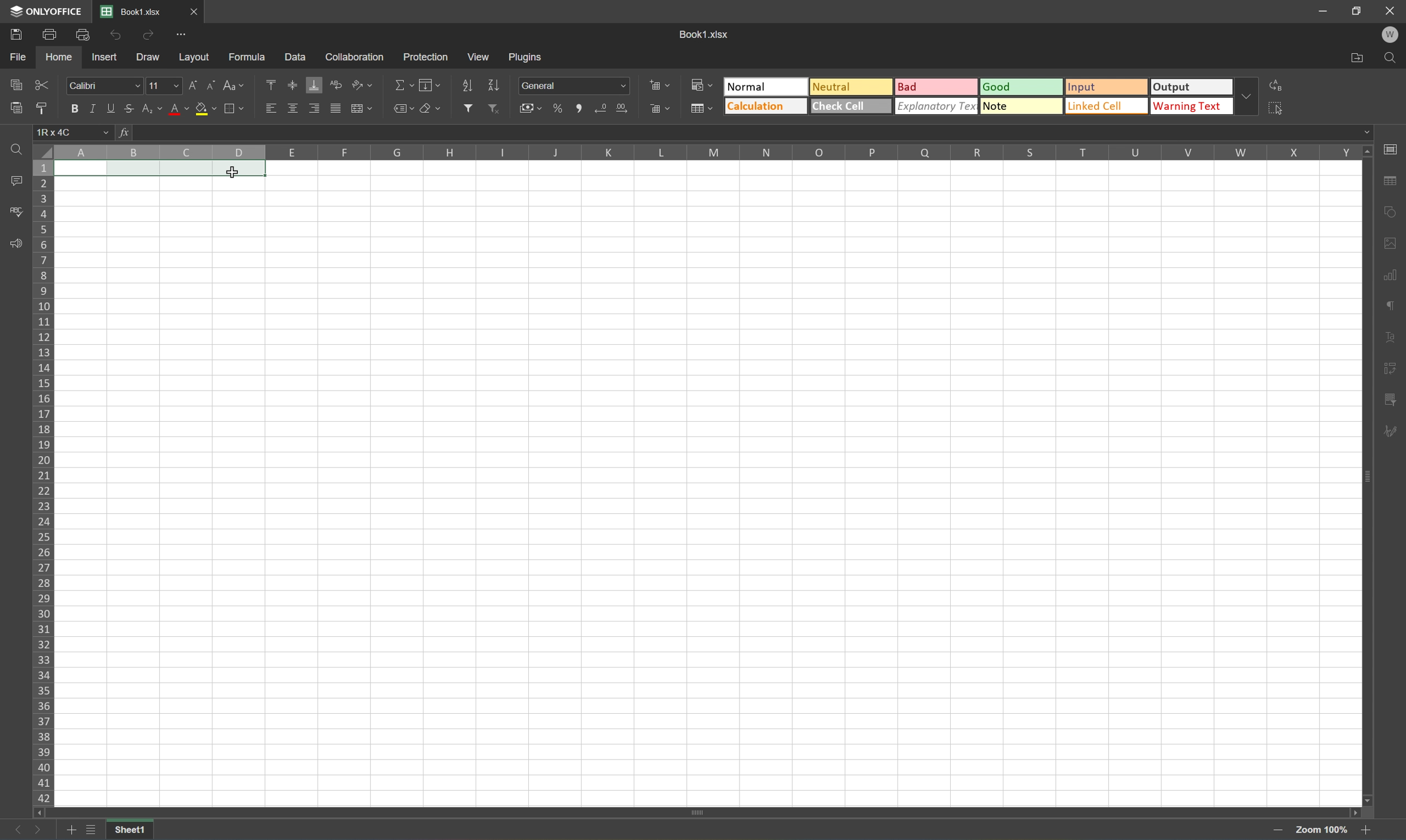 This screenshot has height=840, width=1406. I want to click on Neutral, so click(848, 85).